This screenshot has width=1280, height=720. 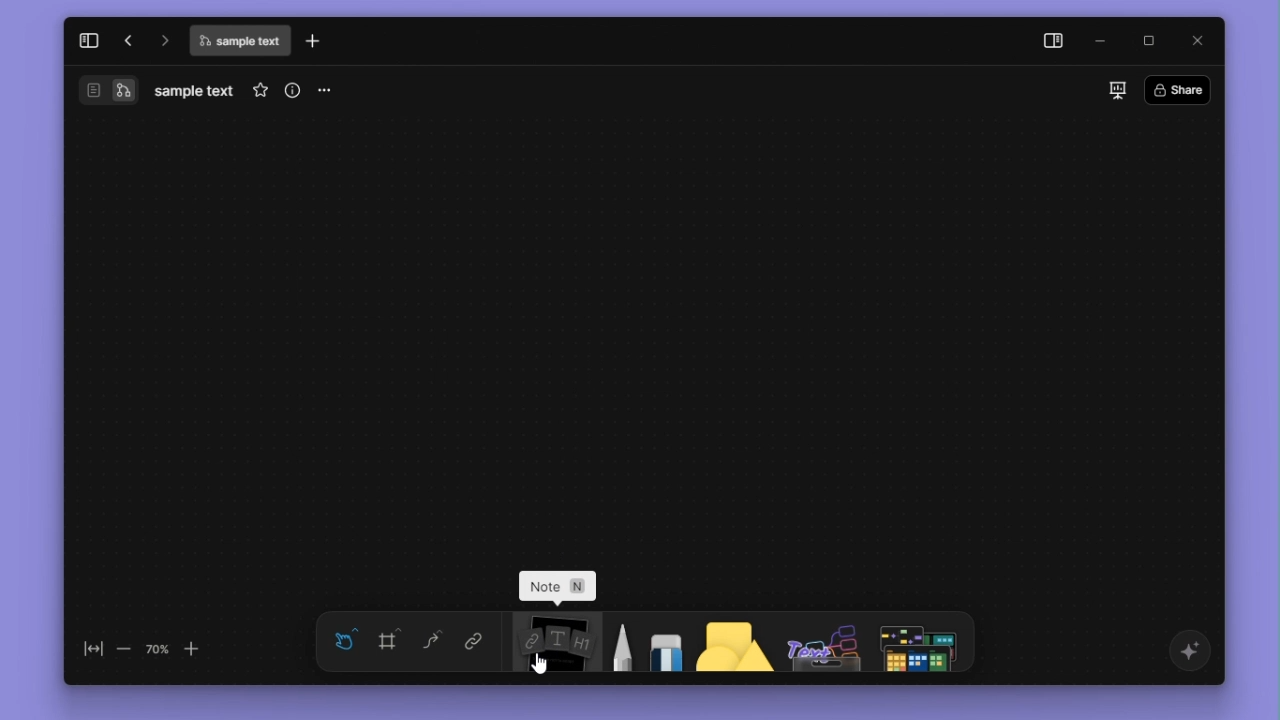 What do you see at coordinates (88, 650) in the screenshot?
I see `fit to screen` at bounding box center [88, 650].